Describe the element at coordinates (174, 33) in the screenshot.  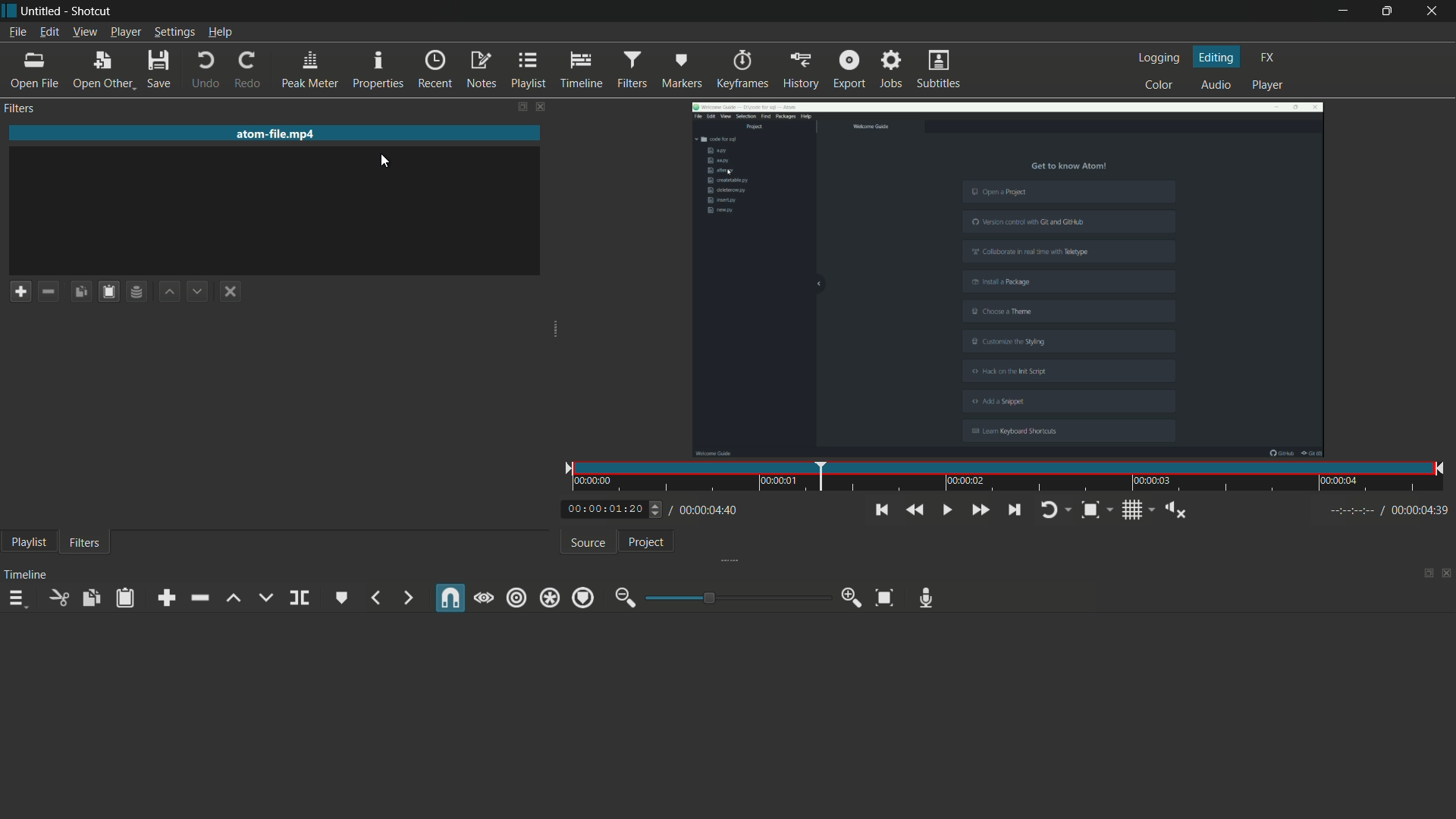
I see `settings menu` at that location.